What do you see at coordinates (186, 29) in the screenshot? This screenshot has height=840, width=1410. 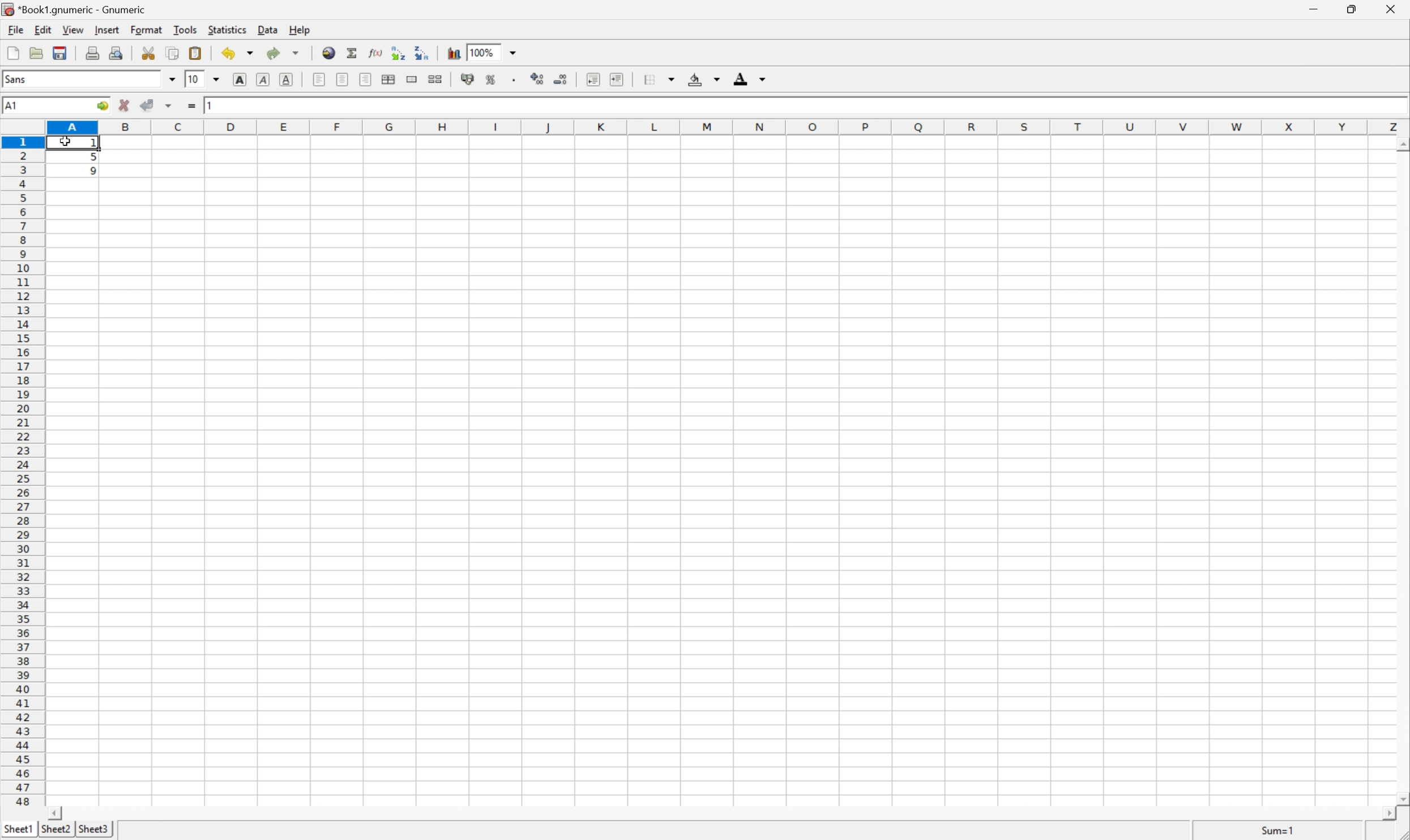 I see `tools` at bounding box center [186, 29].